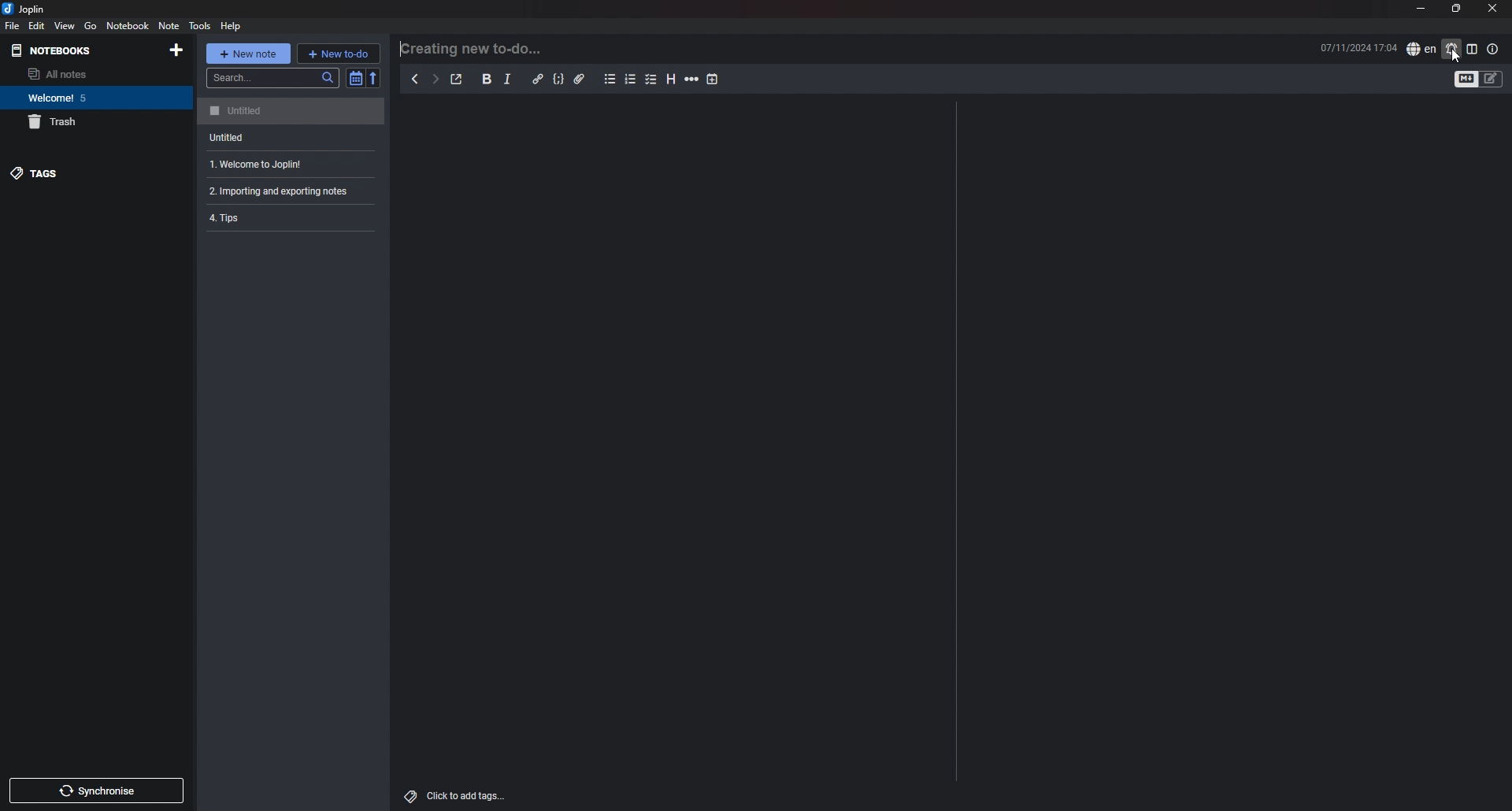 The image size is (1512, 811). Describe the element at coordinates (90, 98) in the screenshot. I see `notebook` at that location.